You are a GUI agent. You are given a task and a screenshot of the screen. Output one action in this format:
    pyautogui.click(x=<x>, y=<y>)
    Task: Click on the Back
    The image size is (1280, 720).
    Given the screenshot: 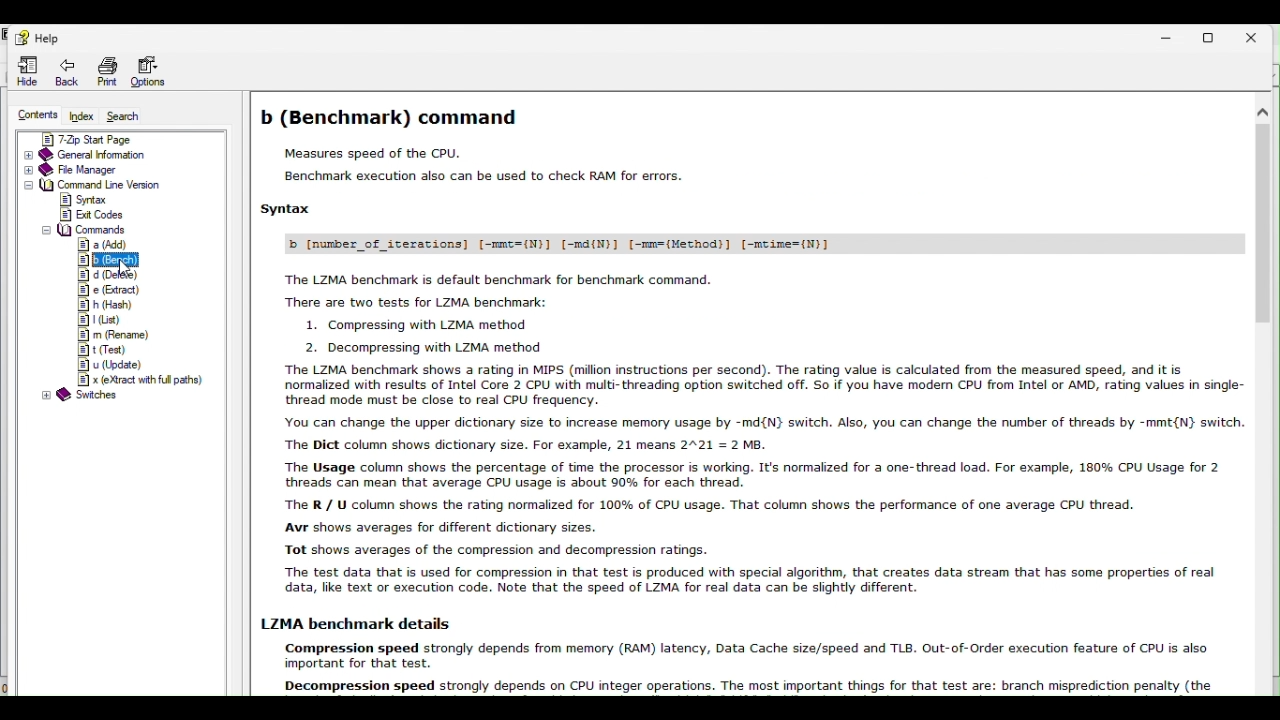 What is the action you would take?
    pyautogui.click(x=65, y=73)
    